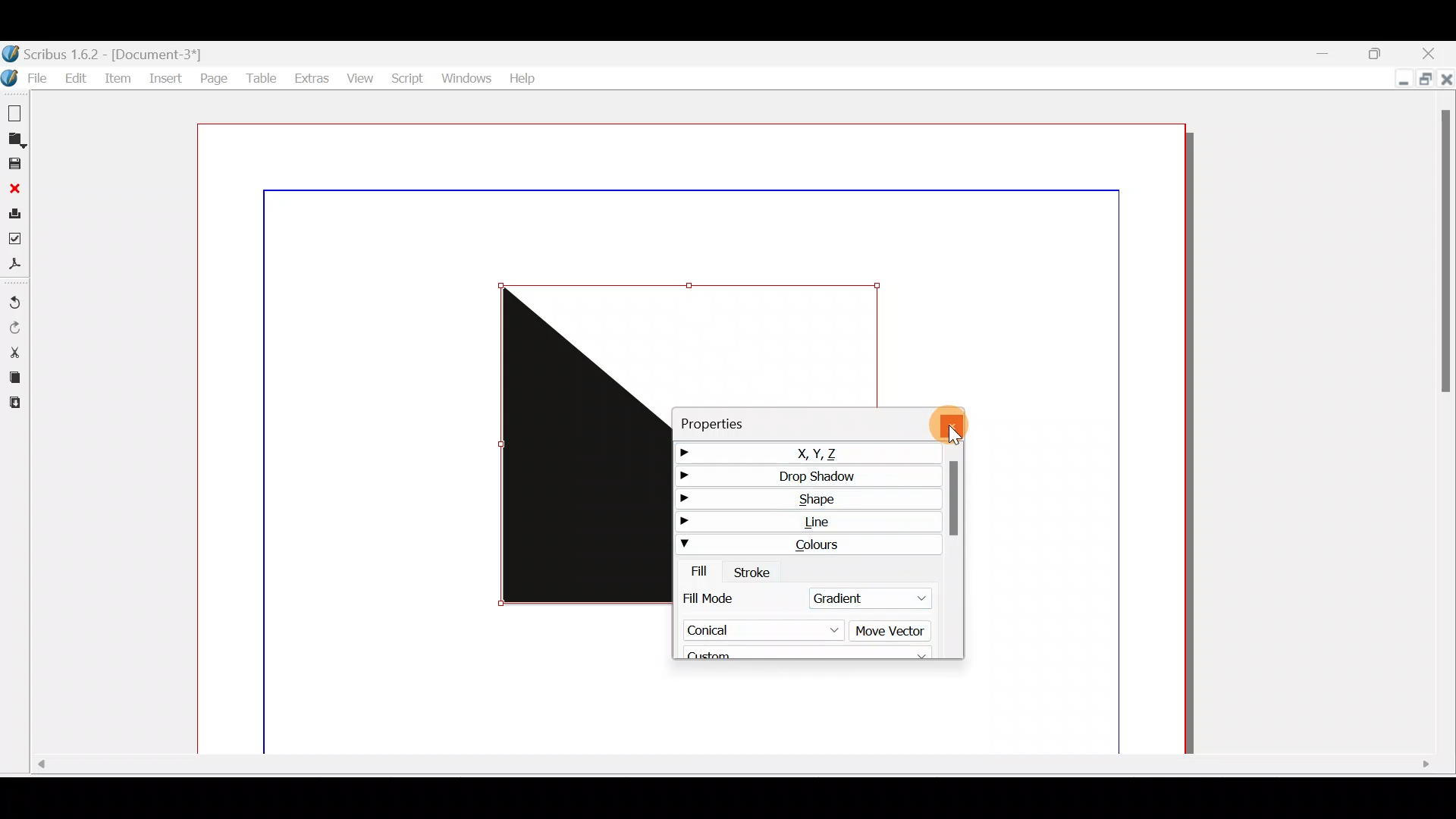  Describe the element at coordinates (118, 81) in the screenshot. I see `Item` at that location.